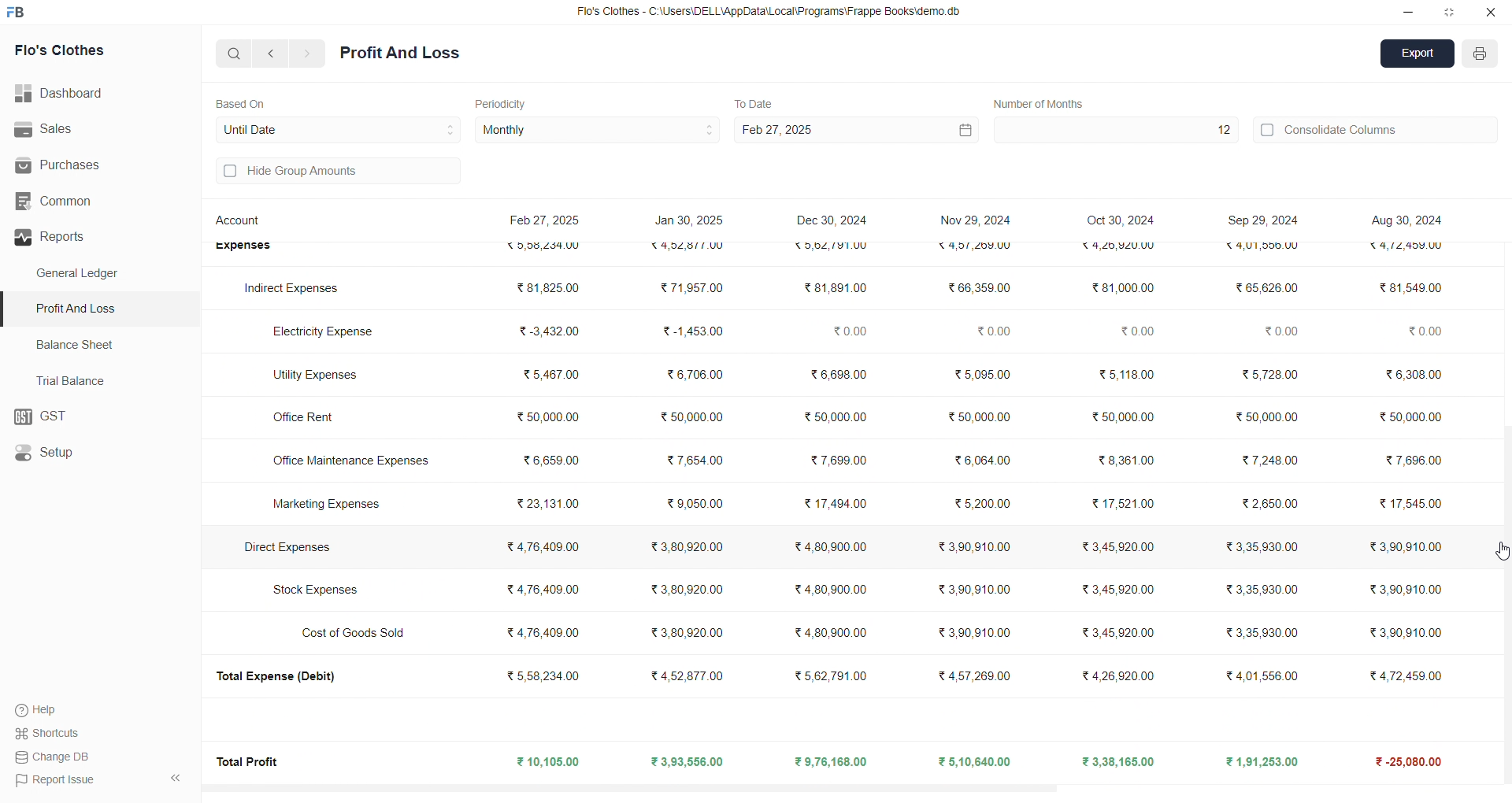 This screenshot has width=1512, height=803. I want to click on ₹1,91,253.00, so click(1254, 761).